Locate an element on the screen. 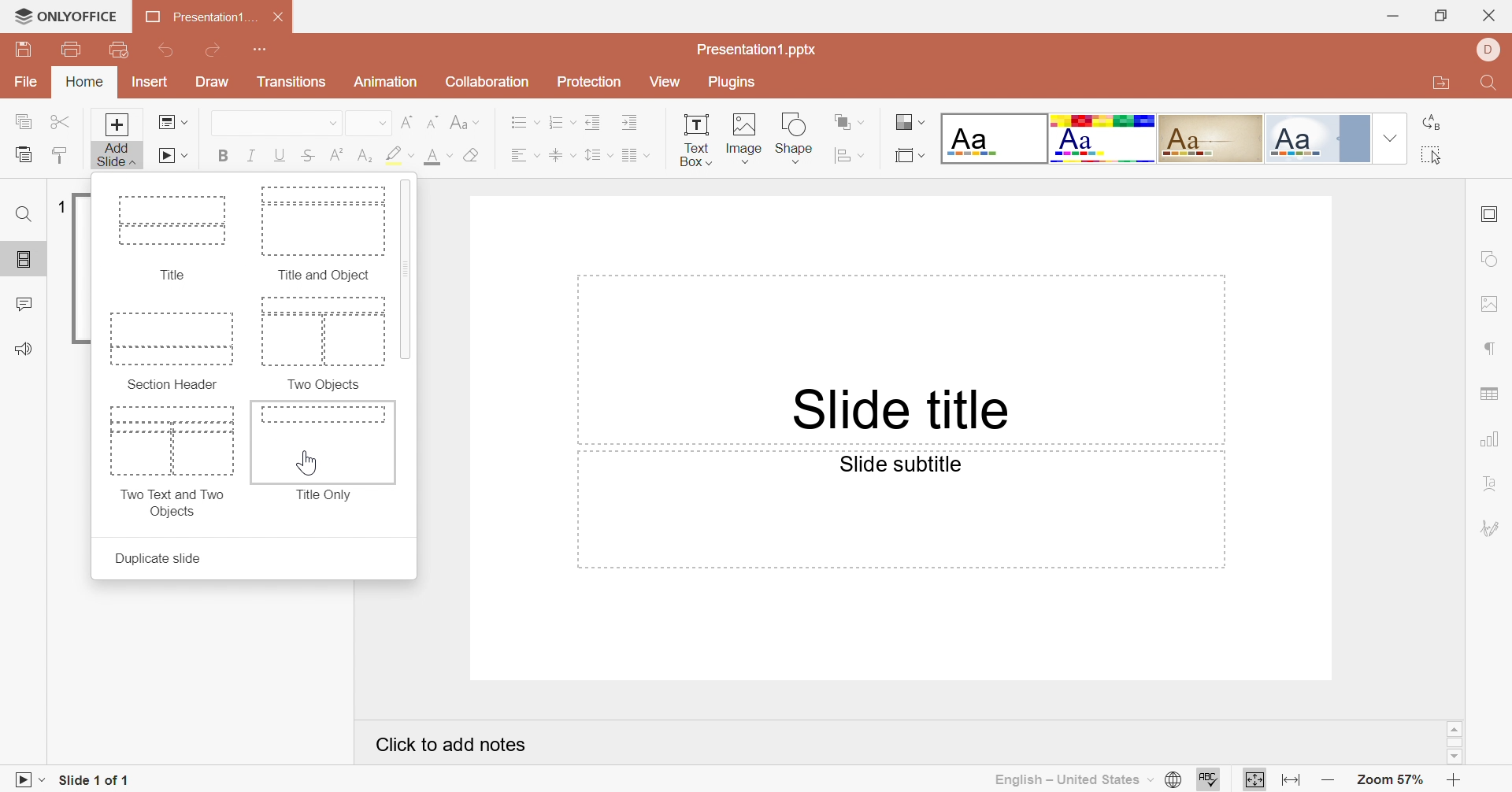 The image size is (1512, 792). Drop Down is located at coordinates (382, 124).